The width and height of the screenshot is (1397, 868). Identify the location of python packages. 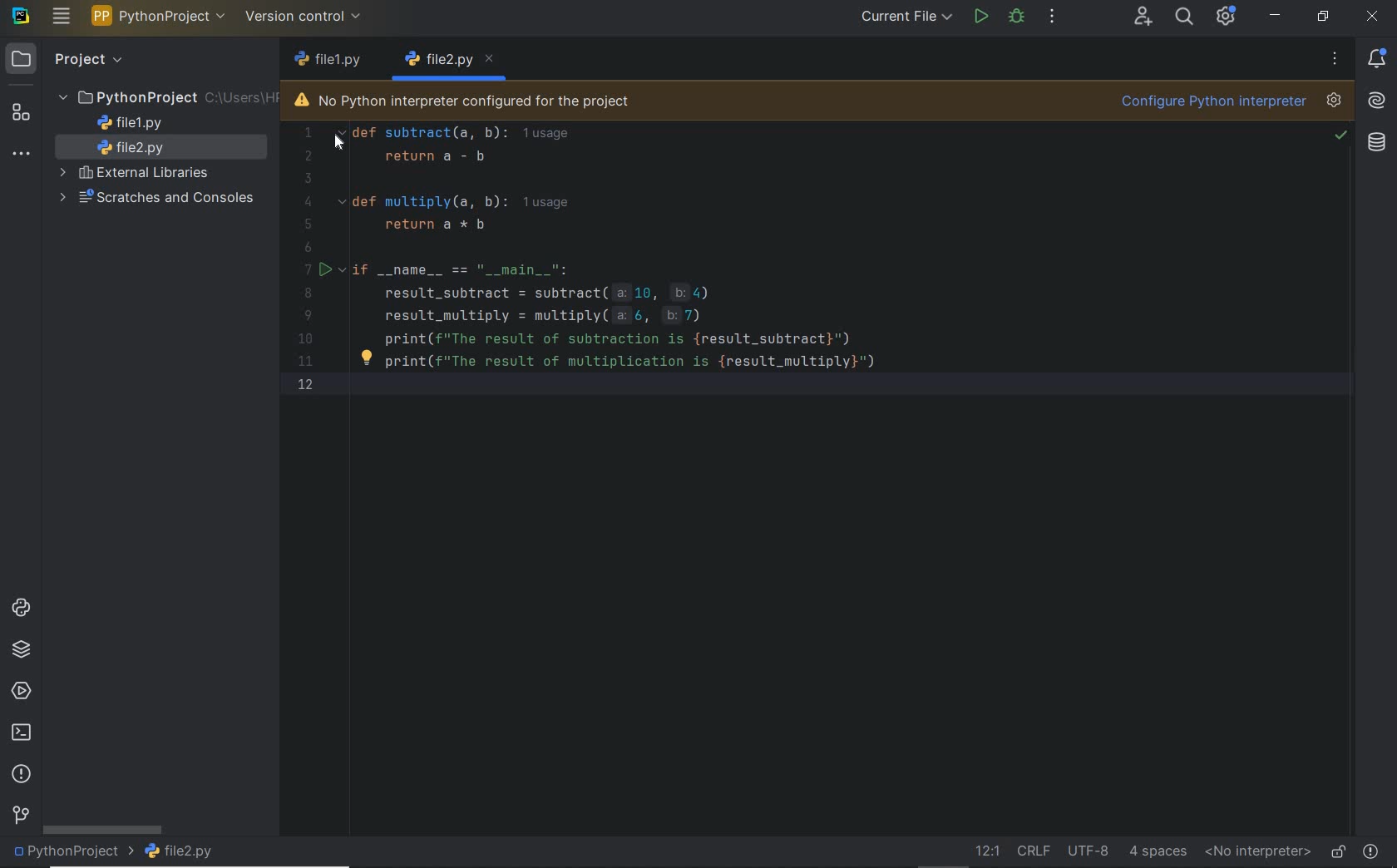
(23, 651).